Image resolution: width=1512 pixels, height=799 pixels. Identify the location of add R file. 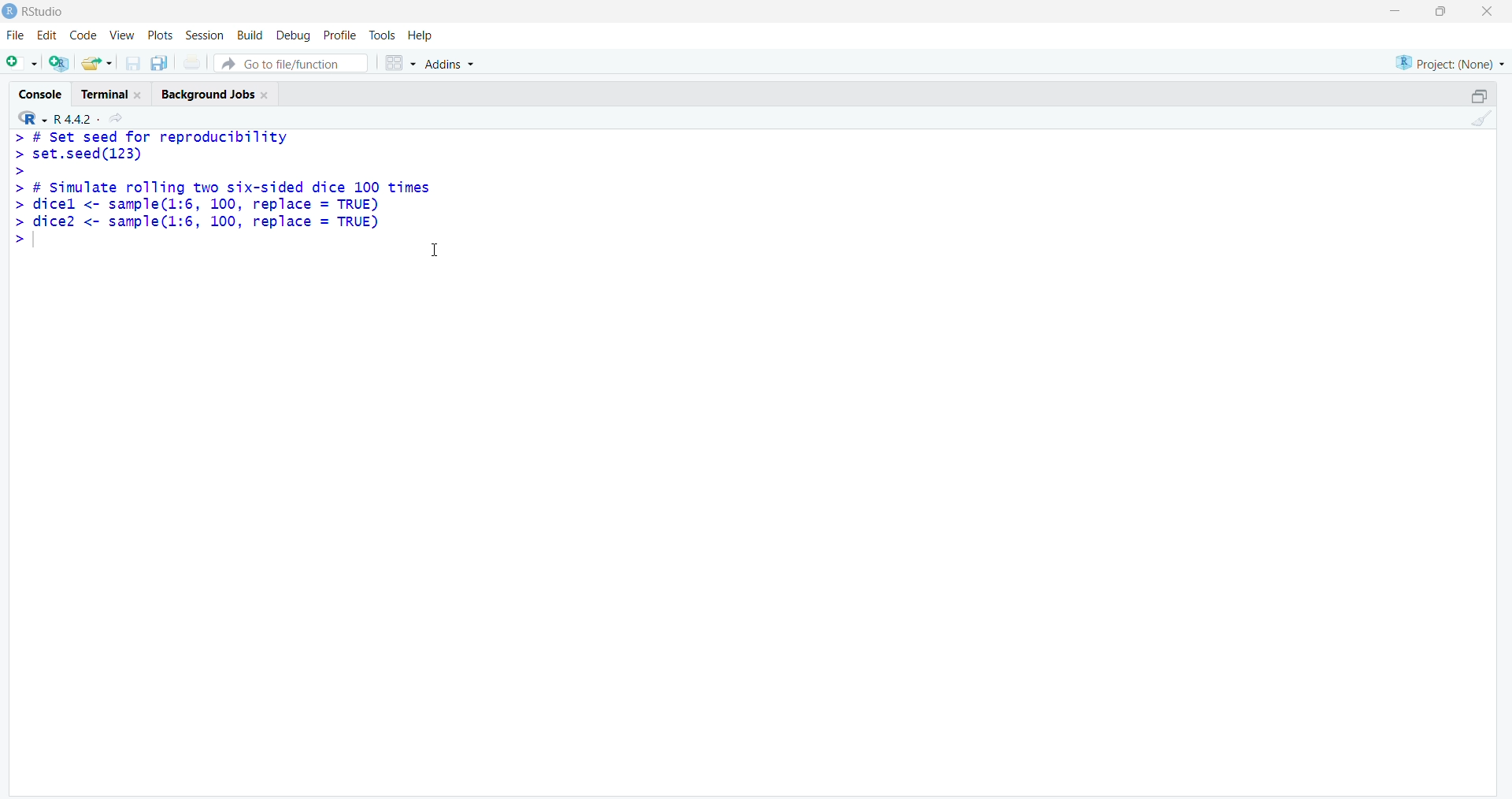
(59, 63).